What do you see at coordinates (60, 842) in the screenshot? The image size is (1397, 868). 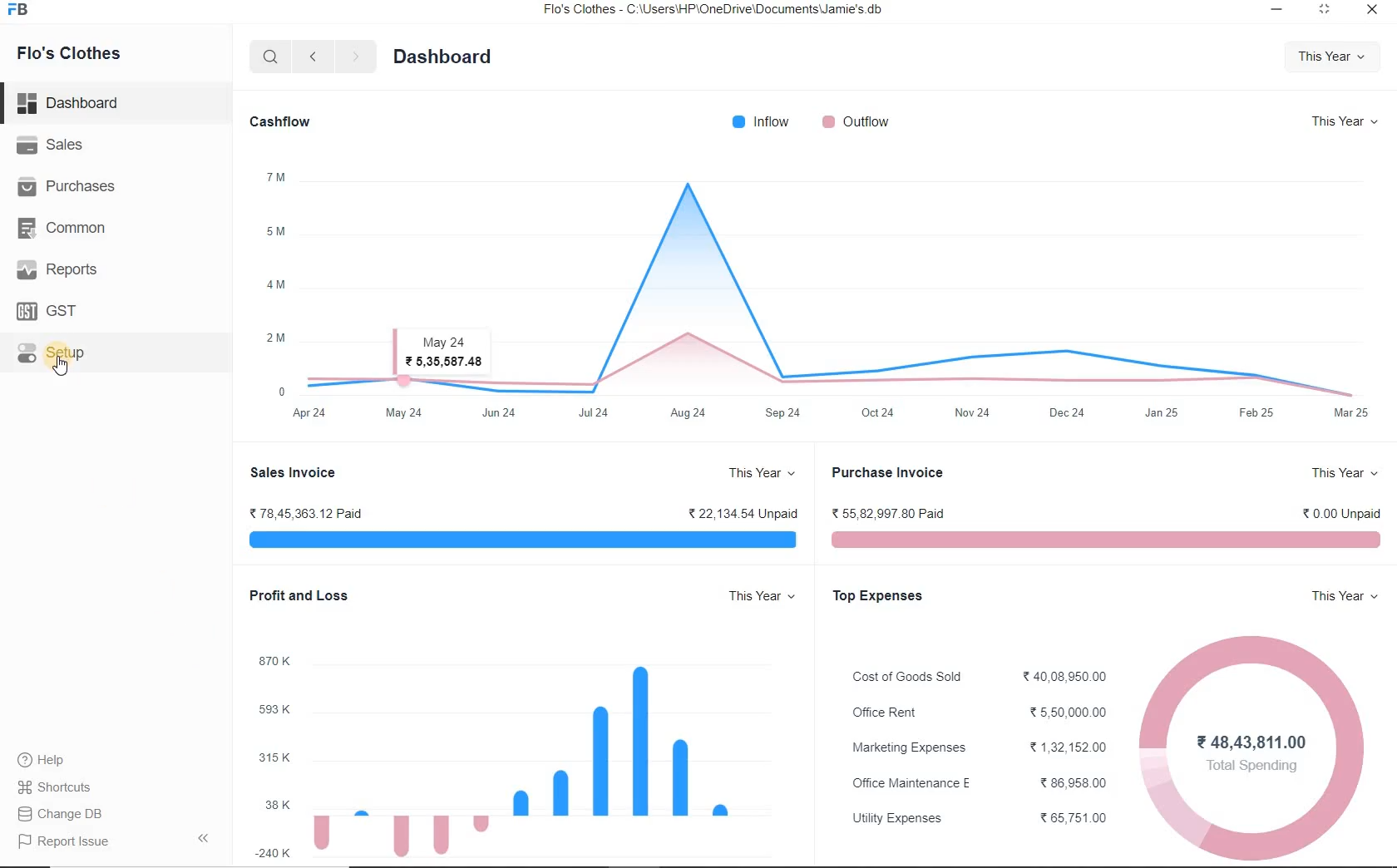 I see `Report Issue` at bounding box center [60, 842].